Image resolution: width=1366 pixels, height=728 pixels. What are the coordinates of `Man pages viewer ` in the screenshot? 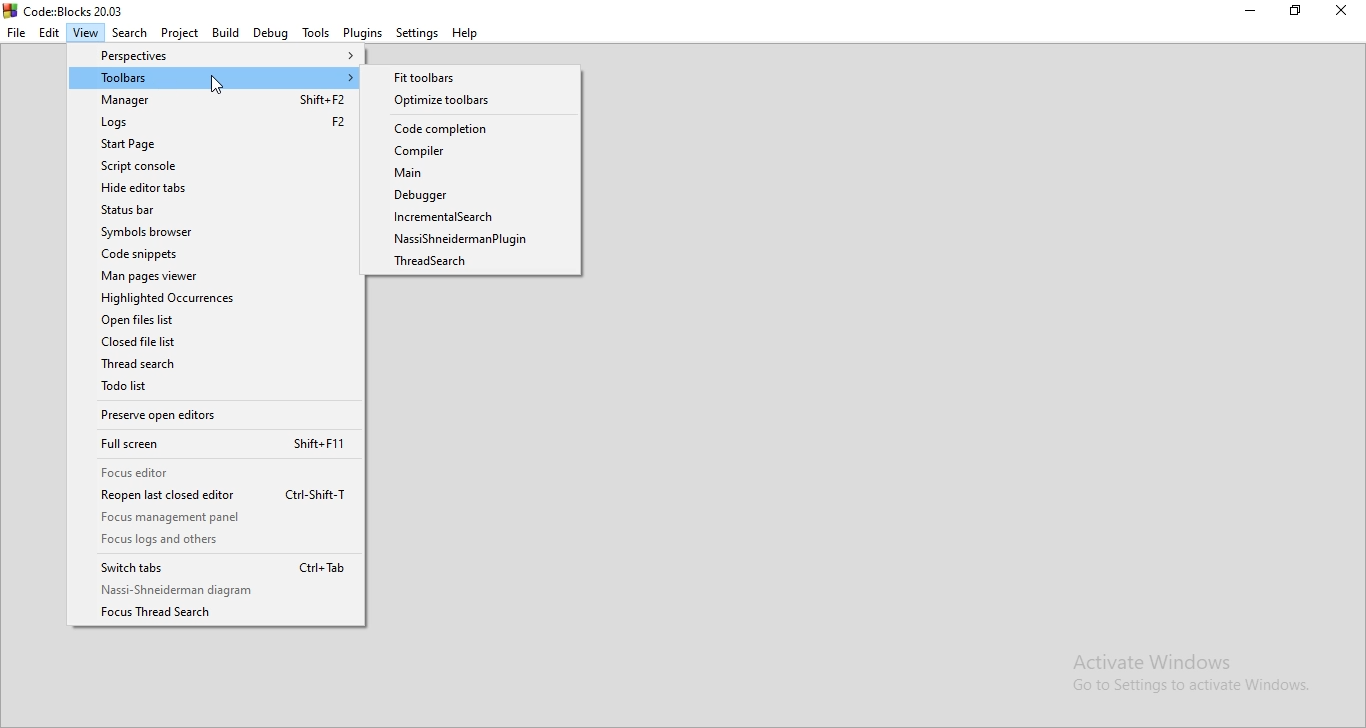 It's located at (216, 277).